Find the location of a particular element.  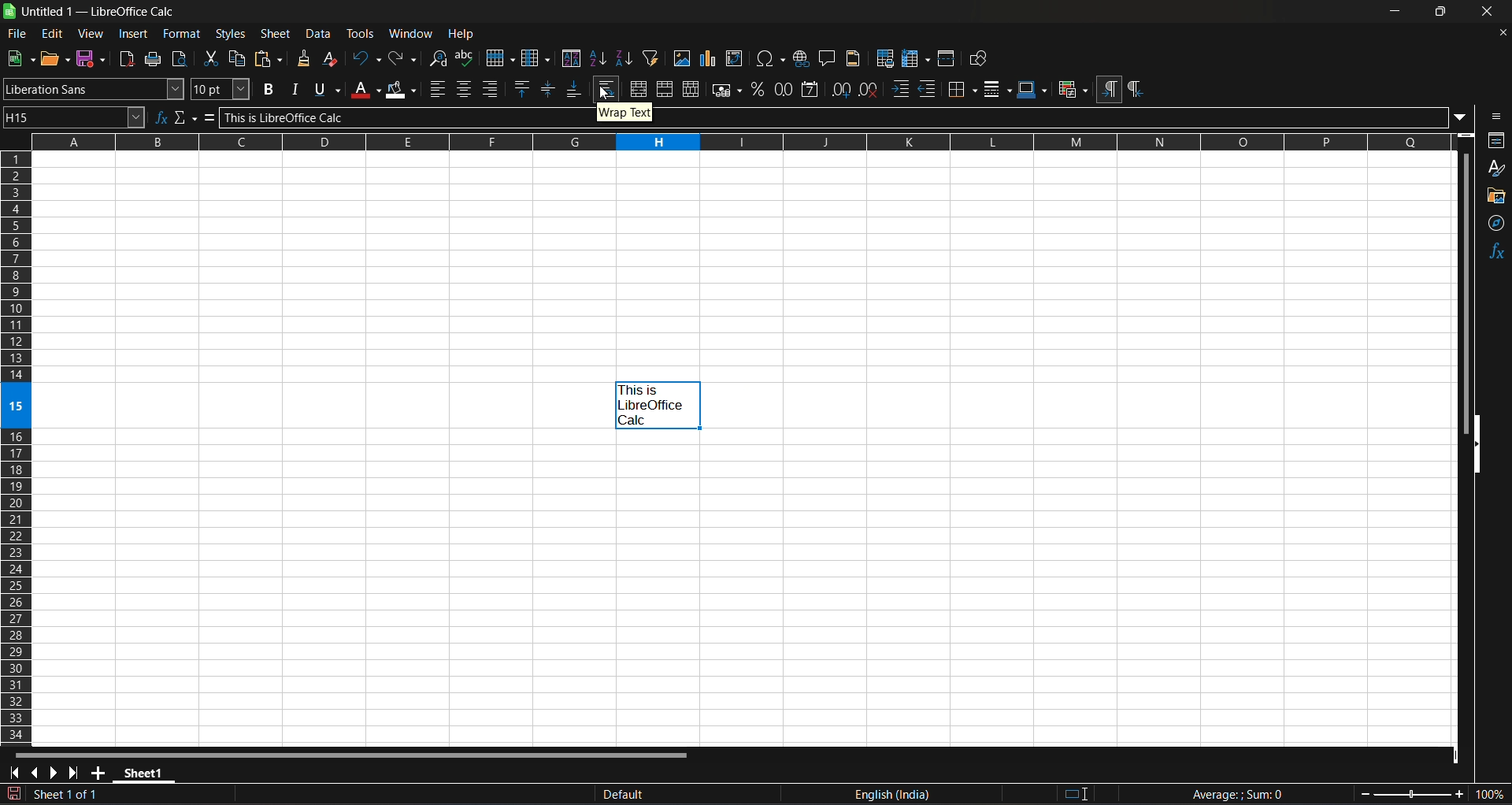

sort is located at coordinates (573, 57).